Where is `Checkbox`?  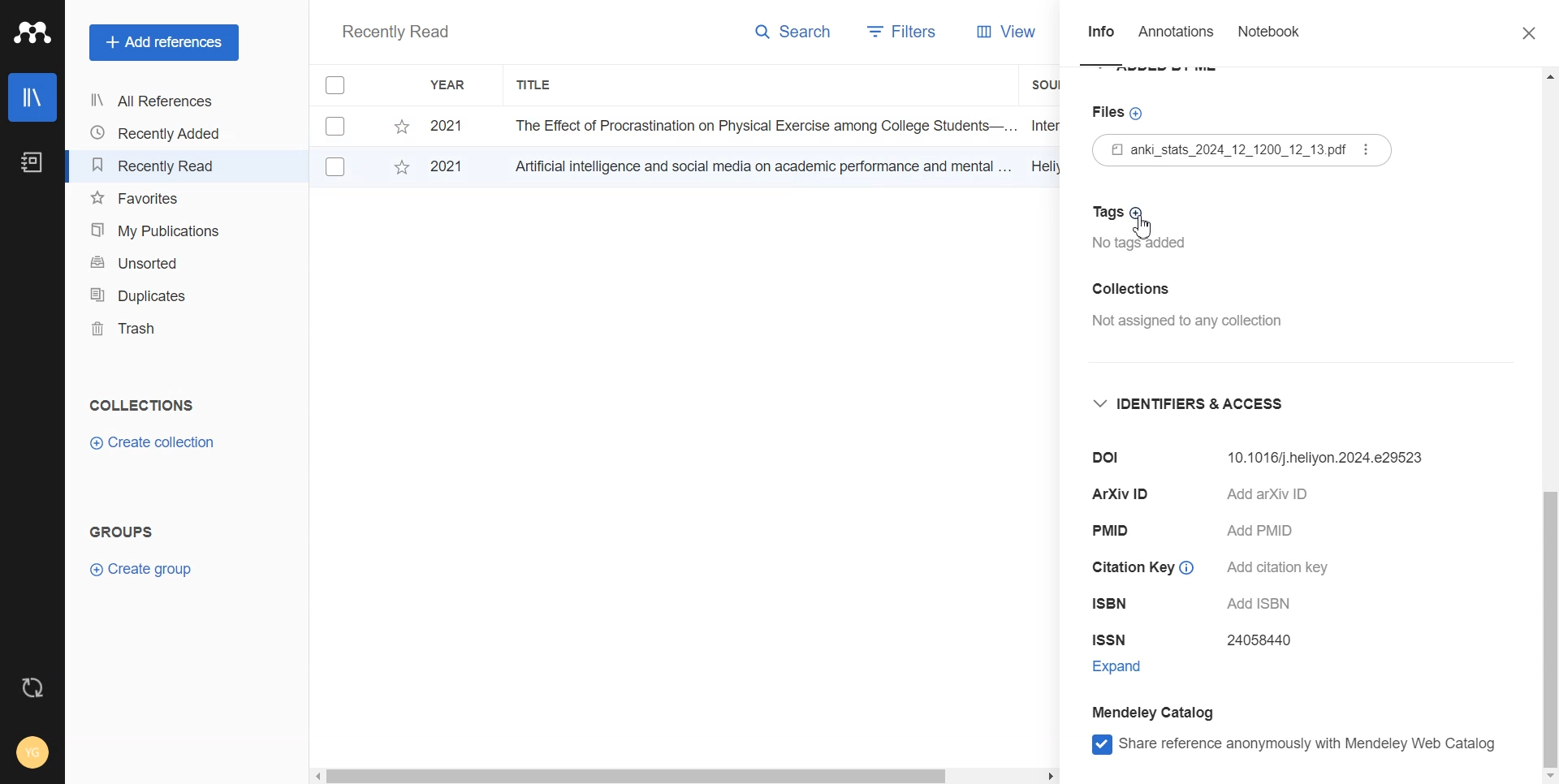 Checkbox is located at coordinates (336, 167).